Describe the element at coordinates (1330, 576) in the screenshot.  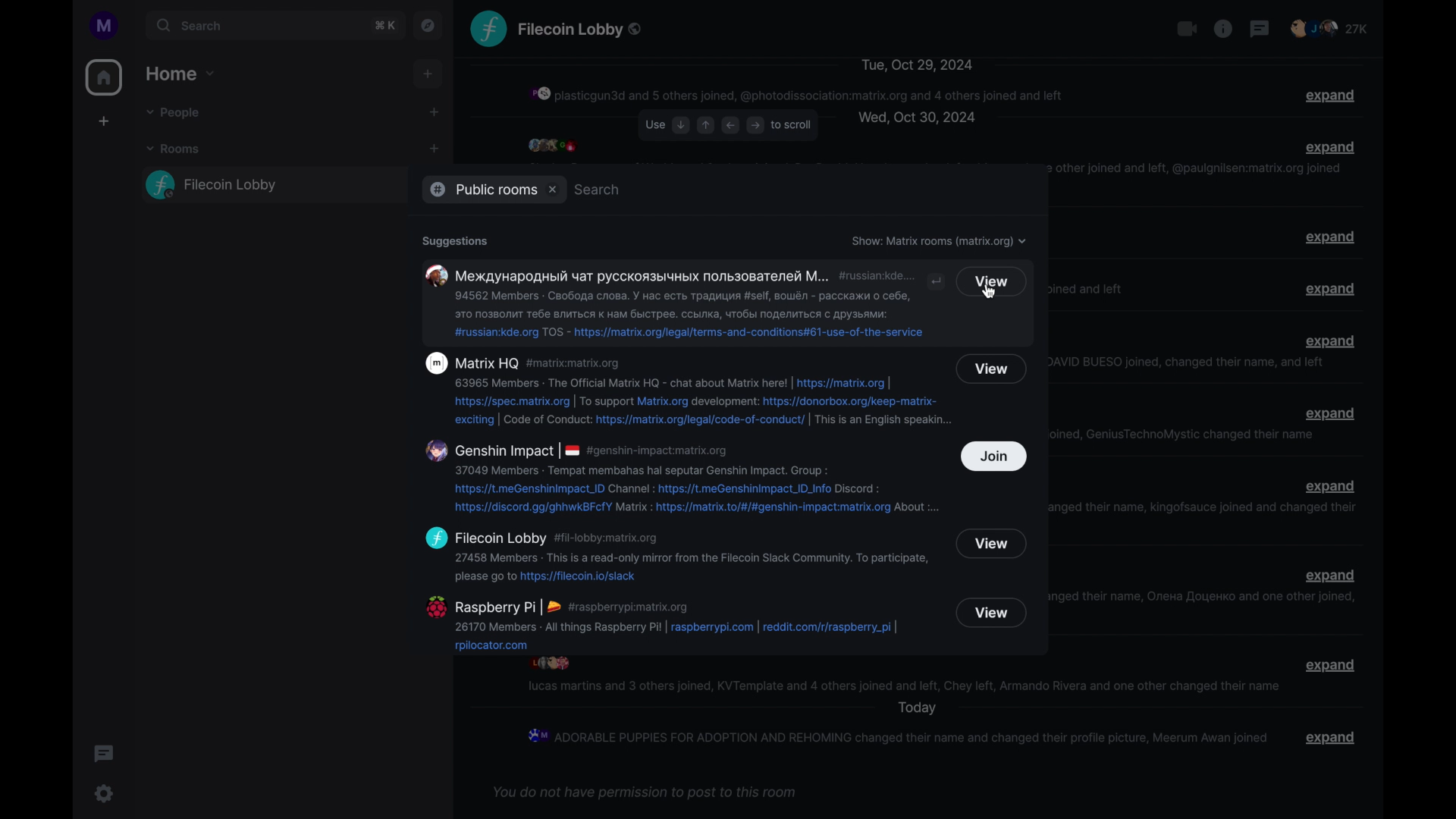
I see `expand` at that location.